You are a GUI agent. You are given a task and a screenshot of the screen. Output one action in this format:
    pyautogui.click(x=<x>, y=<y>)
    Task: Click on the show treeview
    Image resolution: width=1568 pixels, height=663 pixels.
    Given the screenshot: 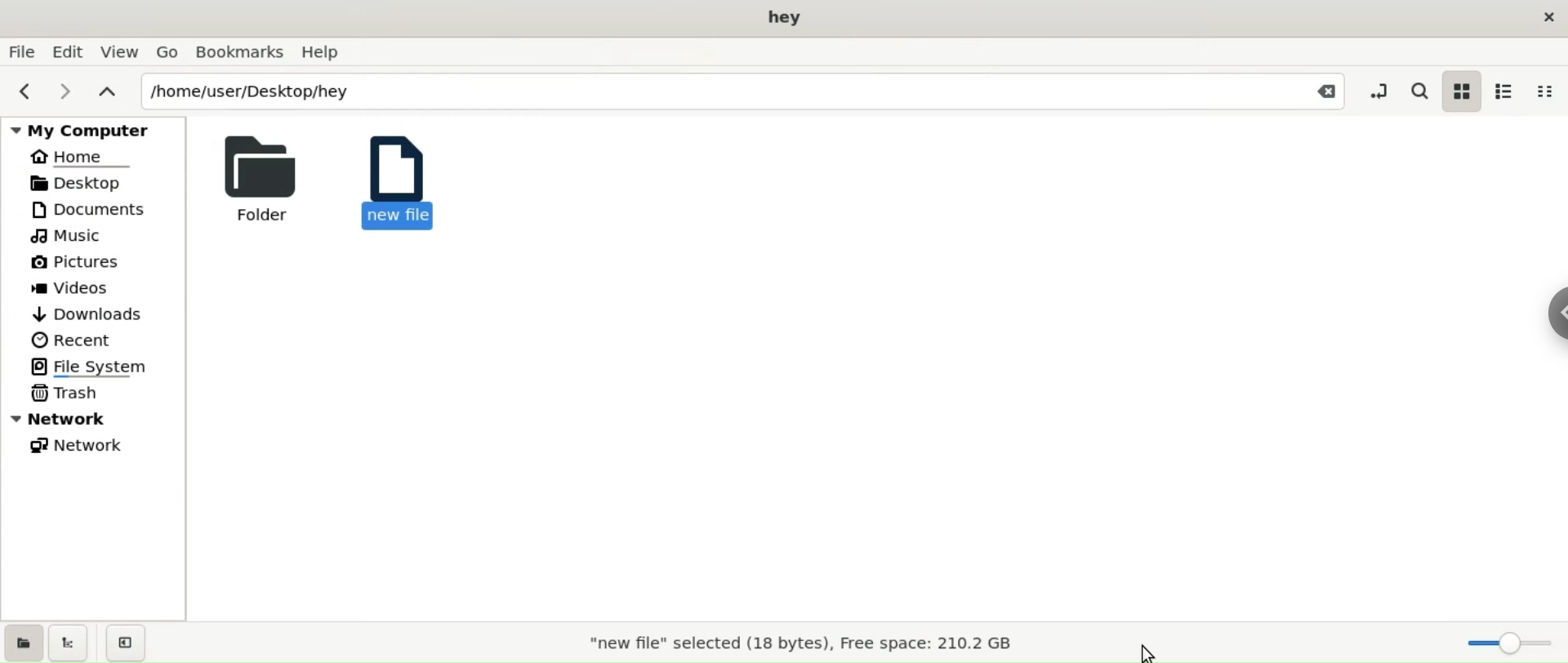 What is the action you would take?
    pyautogui.click(x=69, y=642)
    